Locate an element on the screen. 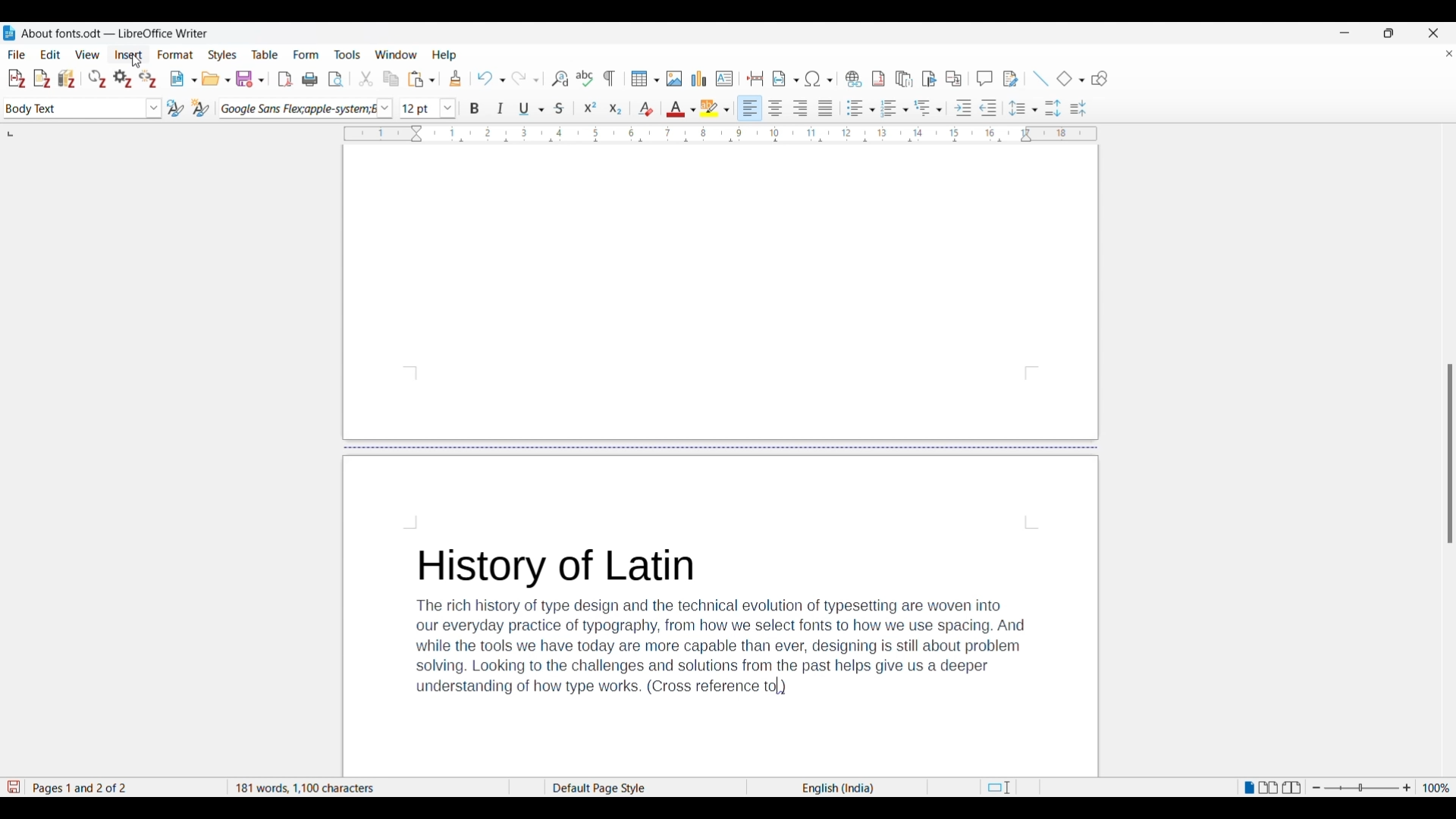 The height and width of the screenshot is (819, 1456). Clone formatting is located at coordinates (456, 78).